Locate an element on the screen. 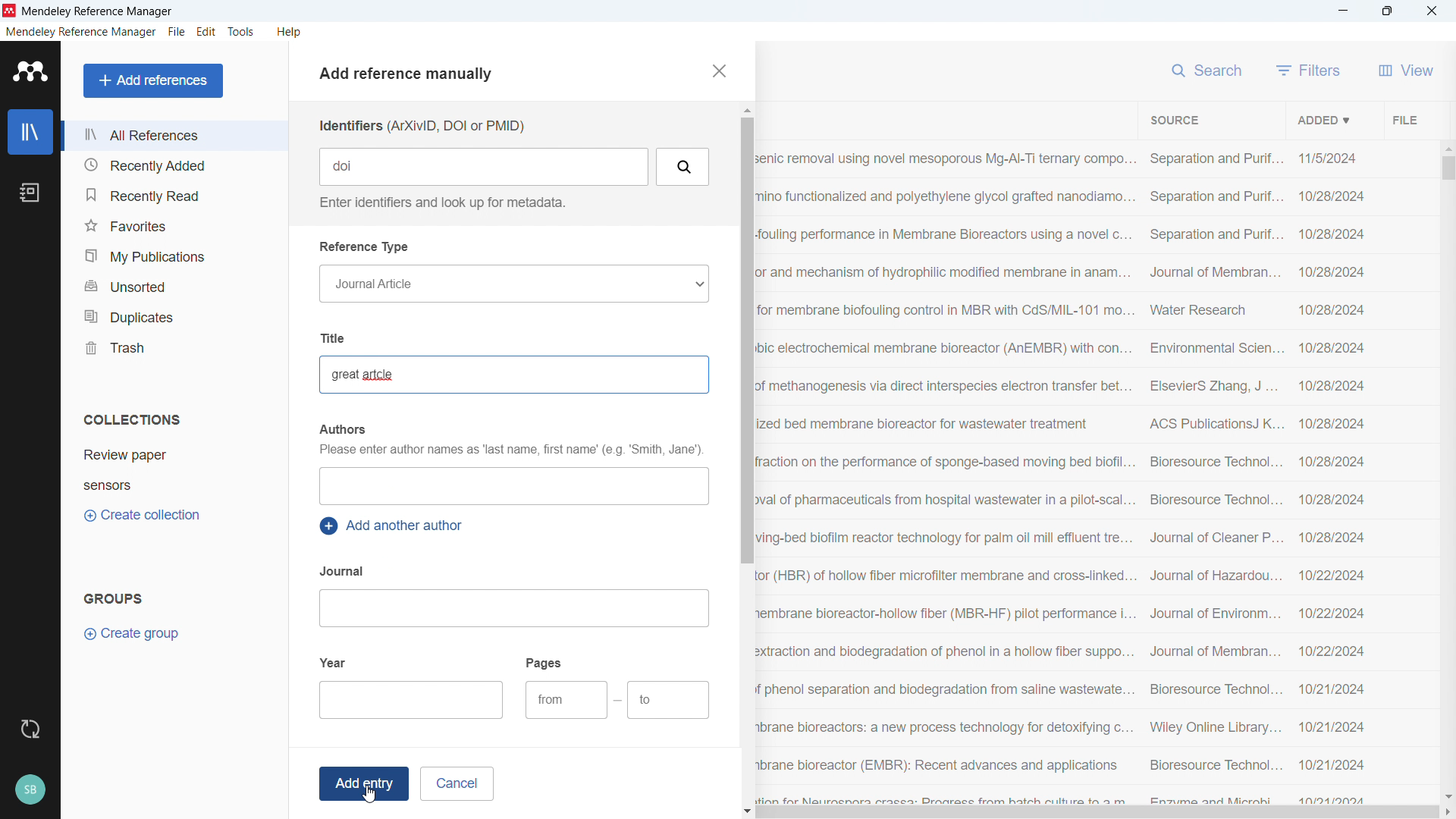  Identifiers is located at coordinates (421, 126).